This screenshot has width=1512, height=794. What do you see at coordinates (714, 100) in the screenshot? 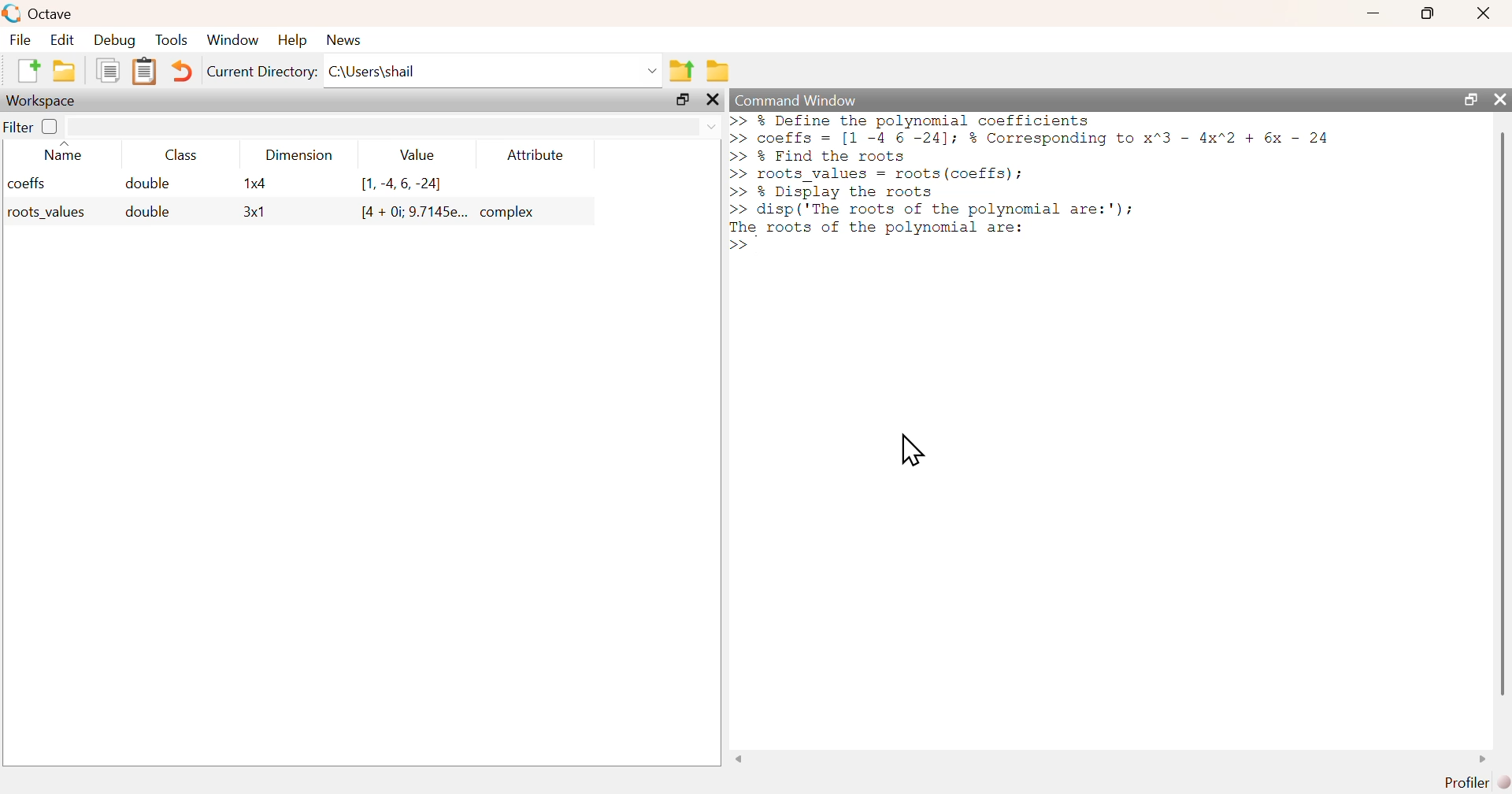
I see `close` at bounding box center [714, 100].